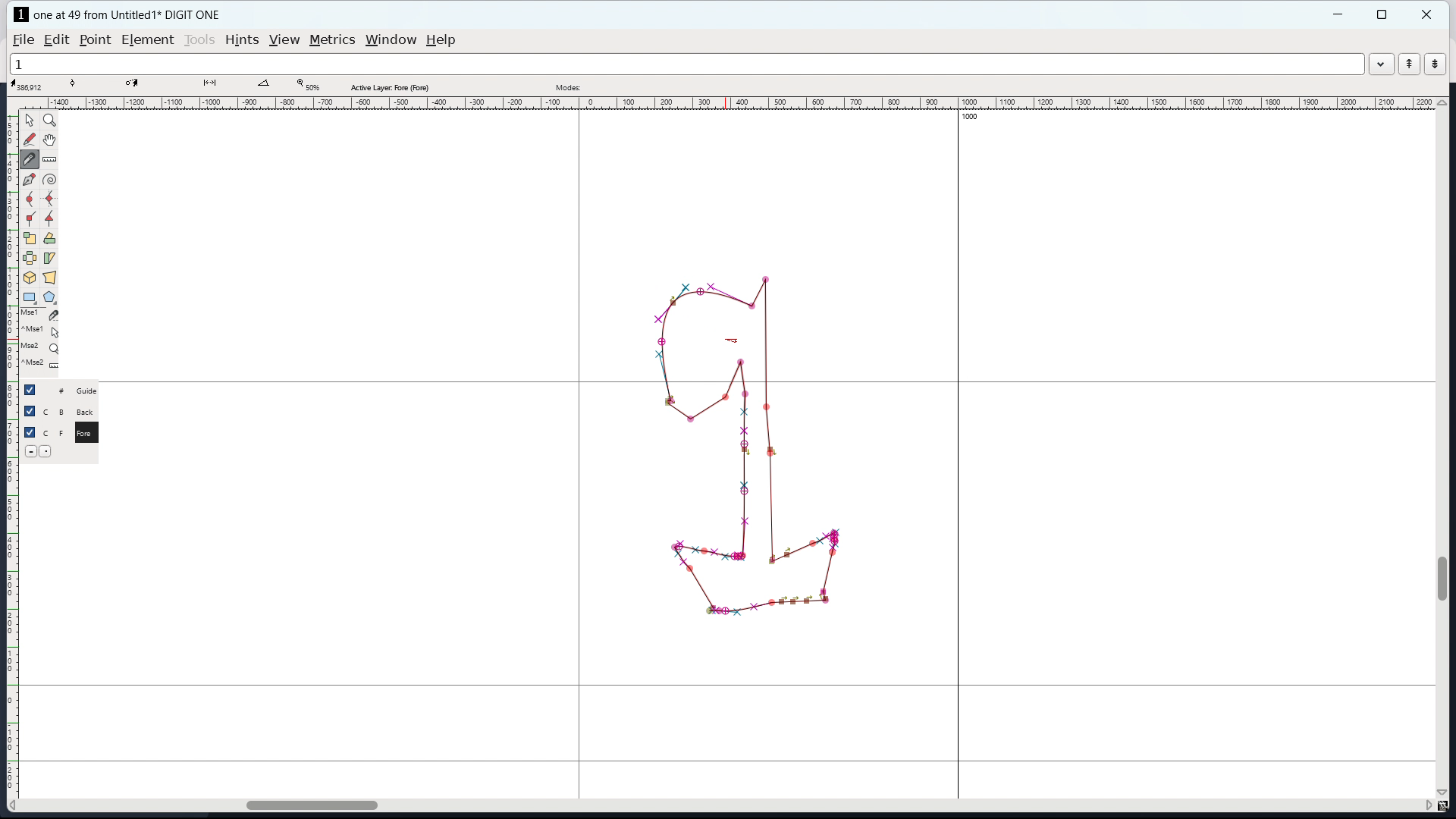  Describe the element at coordinates (29, 180) in the screenshot. I see `add a point then drag out its  control points` at that location.